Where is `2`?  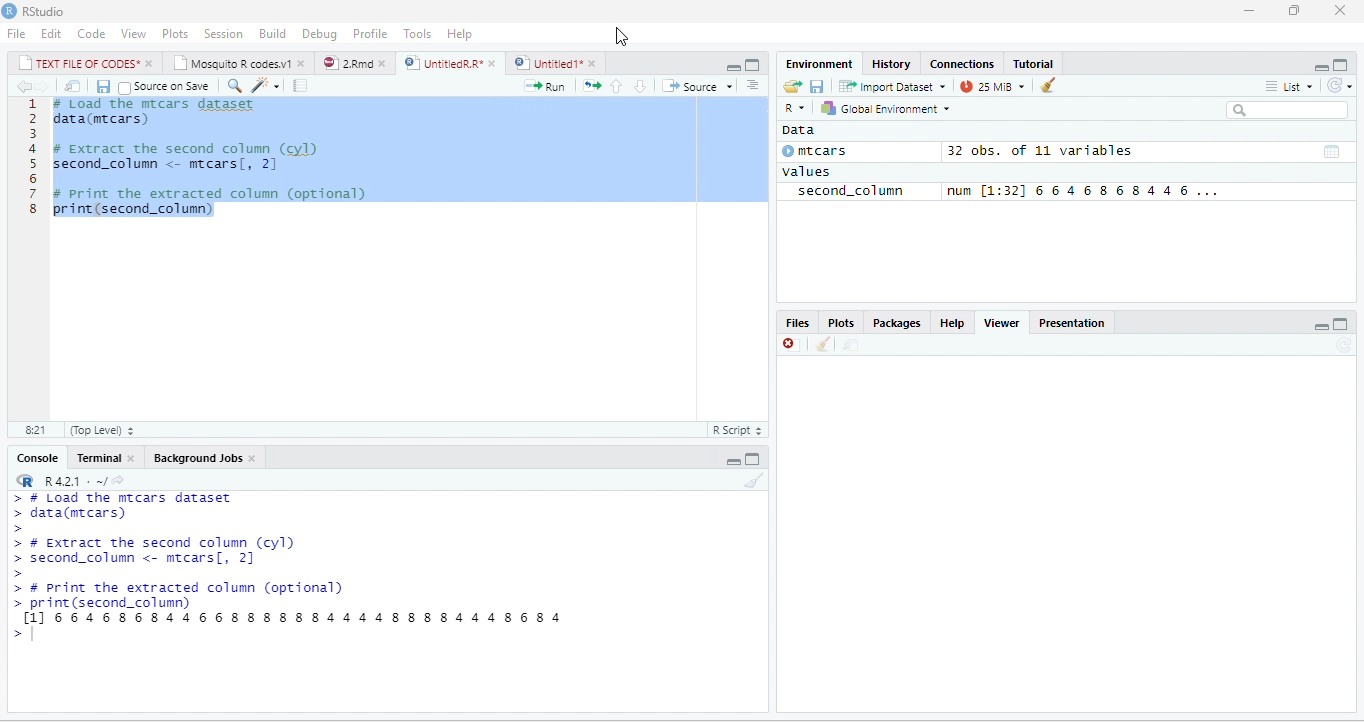 2 is located at coordinates (33, 119).